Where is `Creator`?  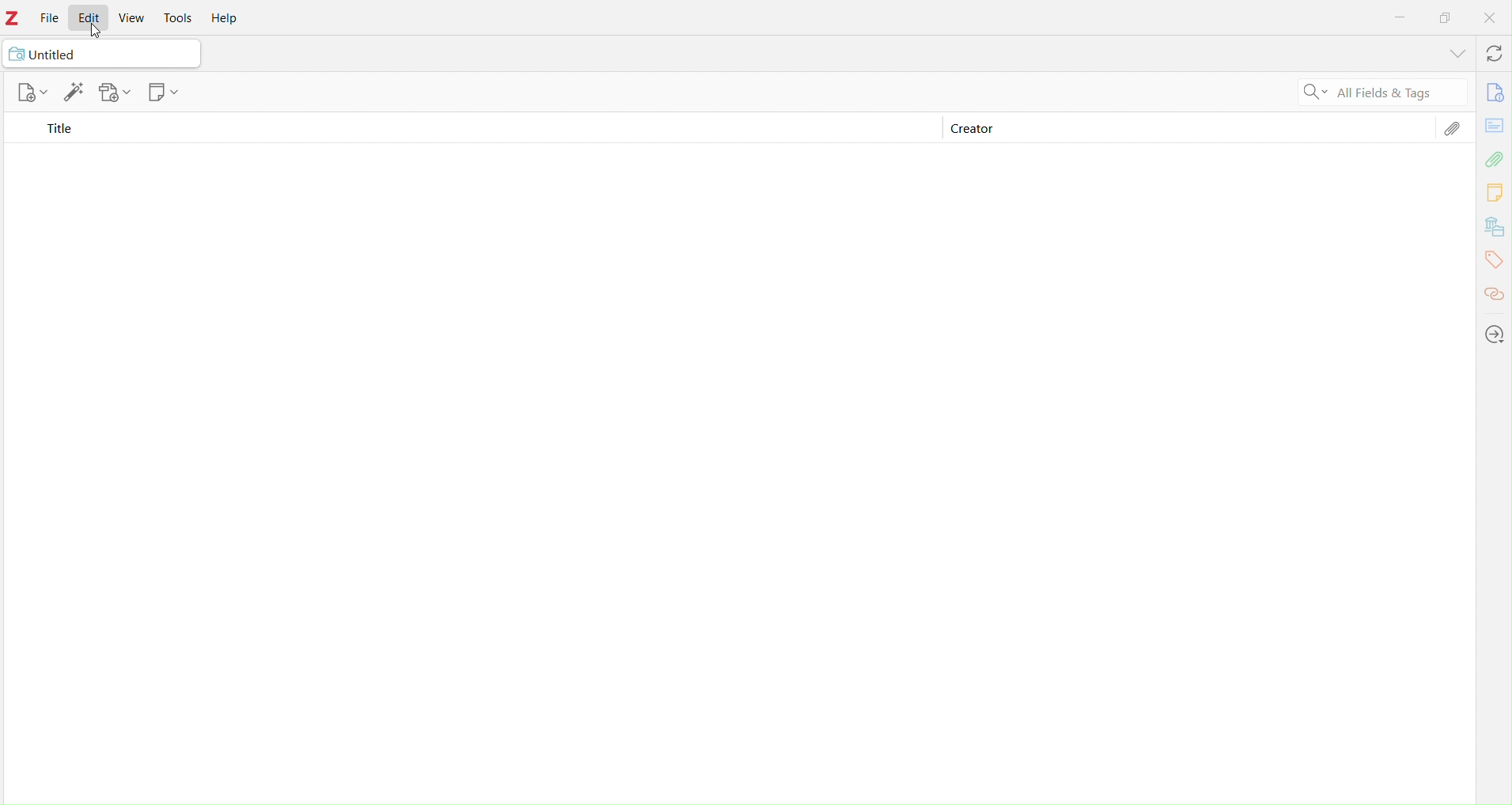
Creator is located at coordinates (970, 130).